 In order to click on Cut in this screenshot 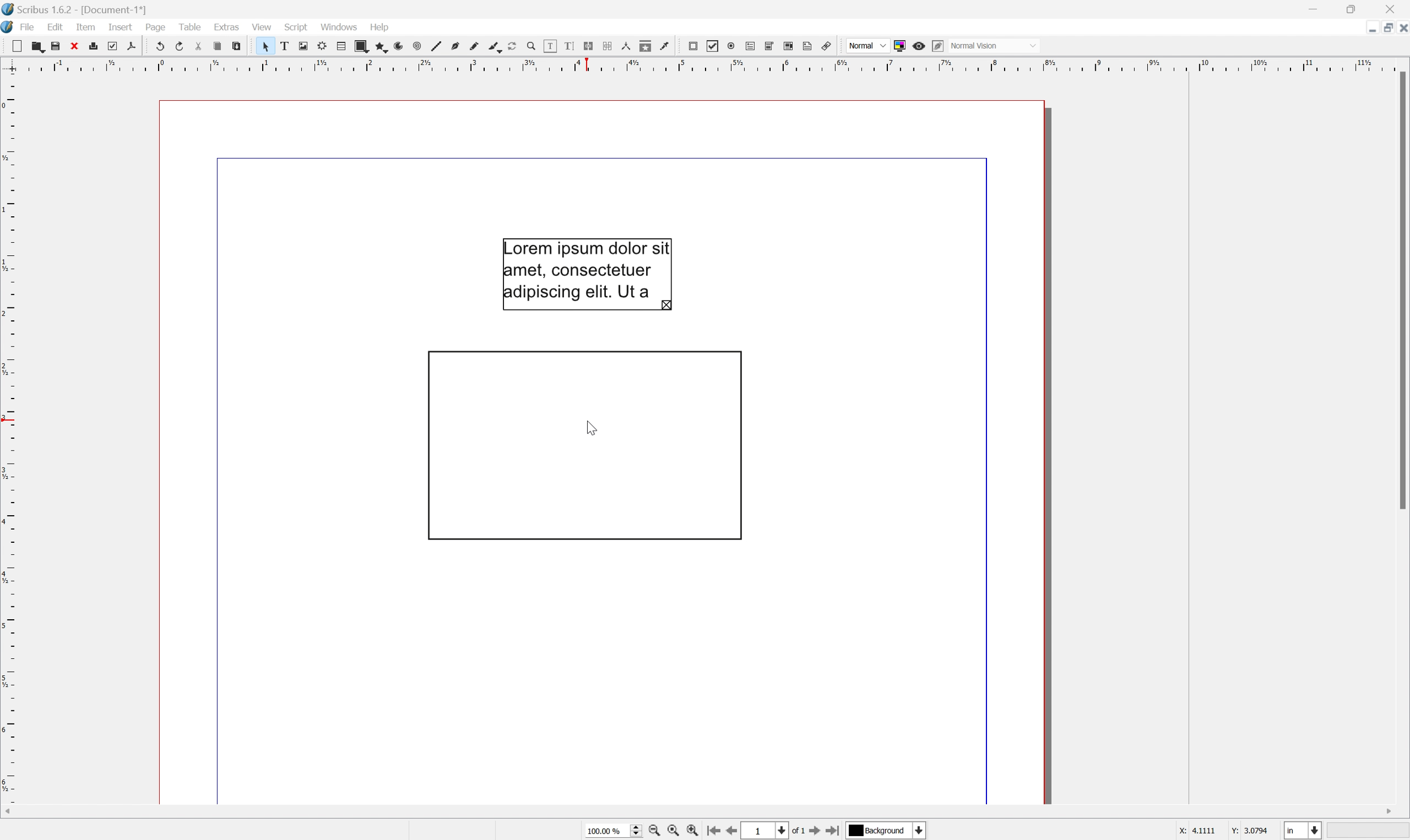, I will do `click(198, 44)`.